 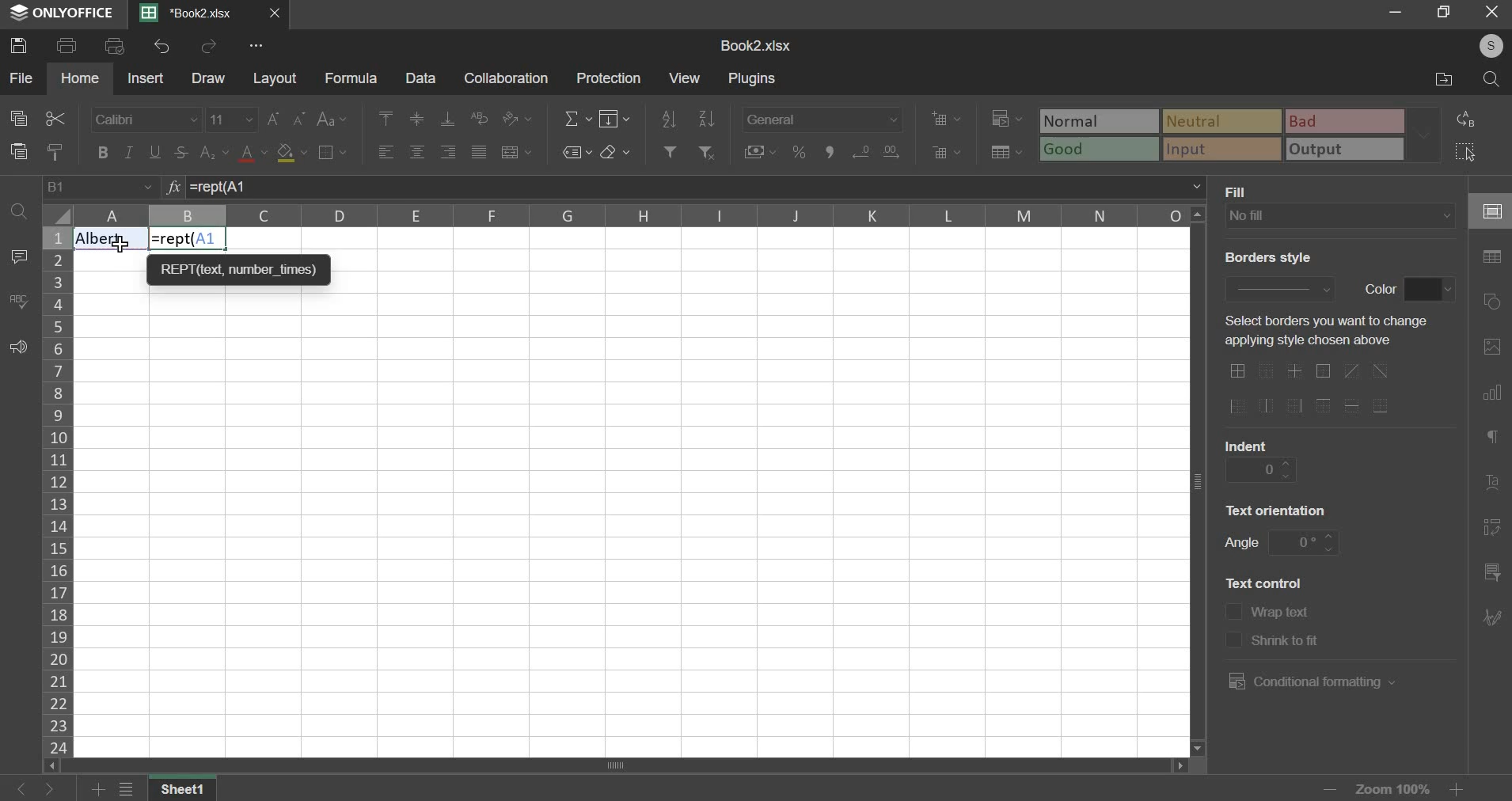 What do you see at coordinates (706, 119) in the screenshot?
I see `sort descending` at bounding box center [706, 119].